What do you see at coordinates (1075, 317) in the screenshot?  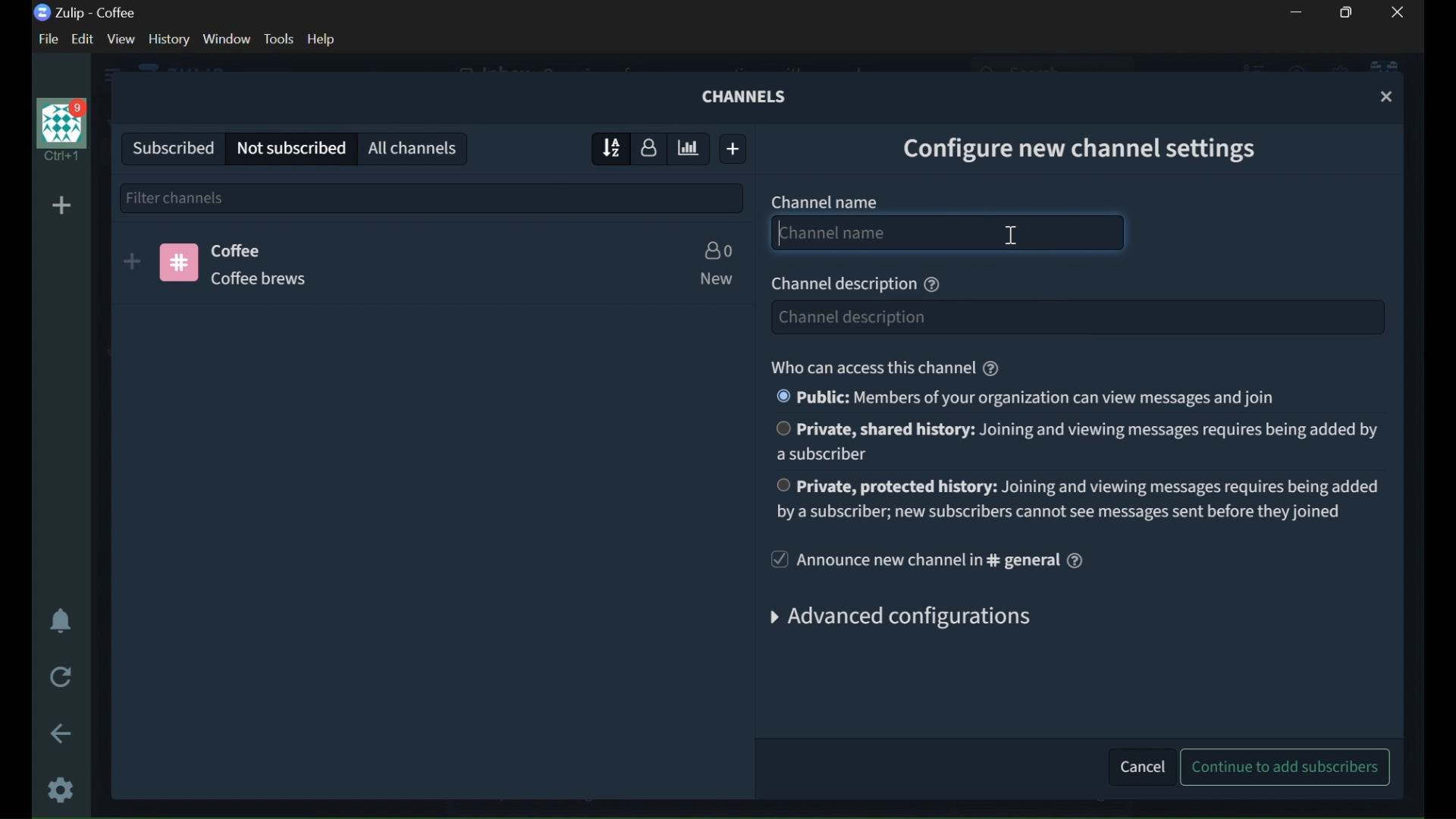 I see `add CHANNEL DESCRIPTION` at bounding box center [1075, 317].